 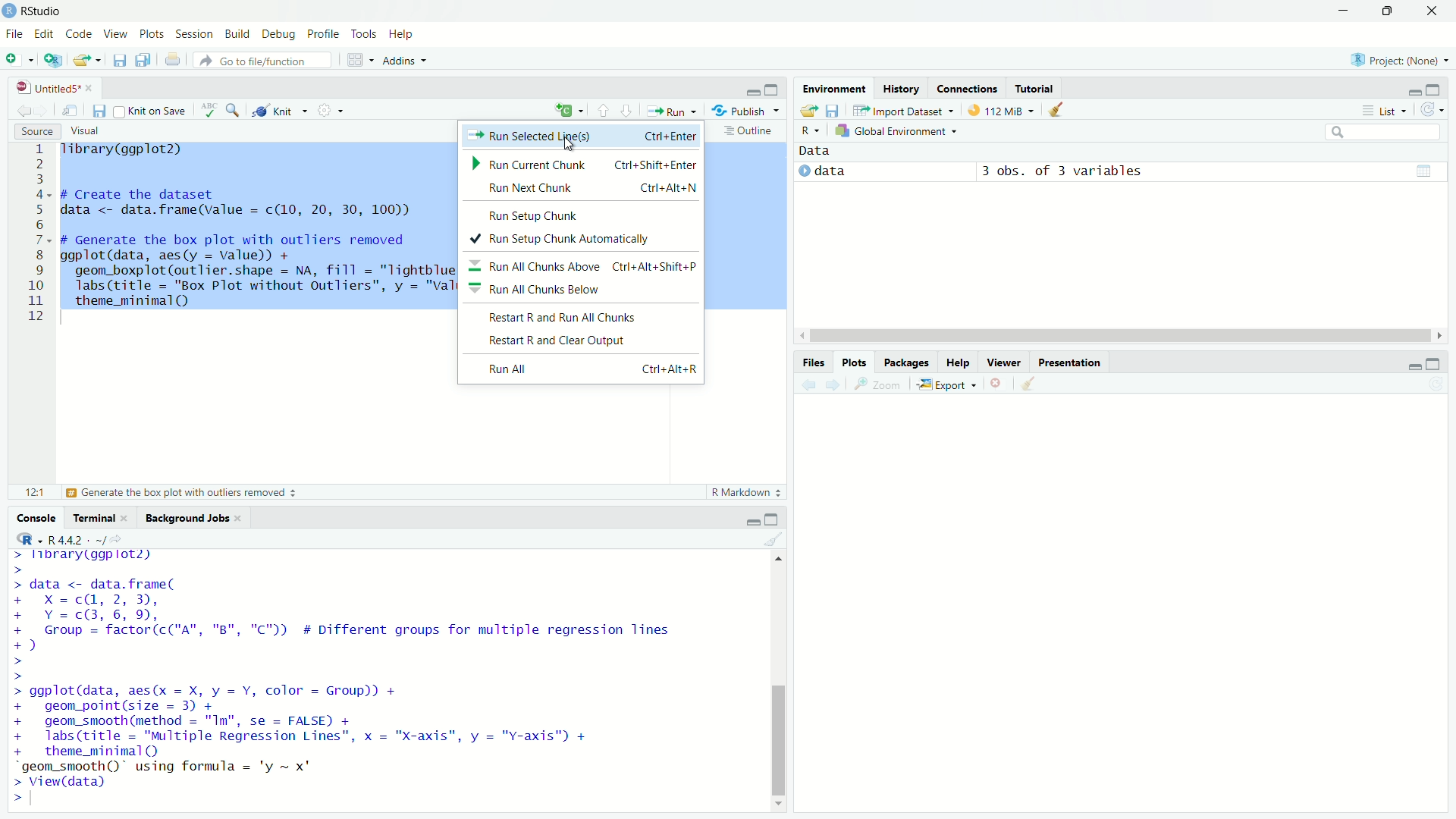 I want to click on close, so click(x=996, y=383).